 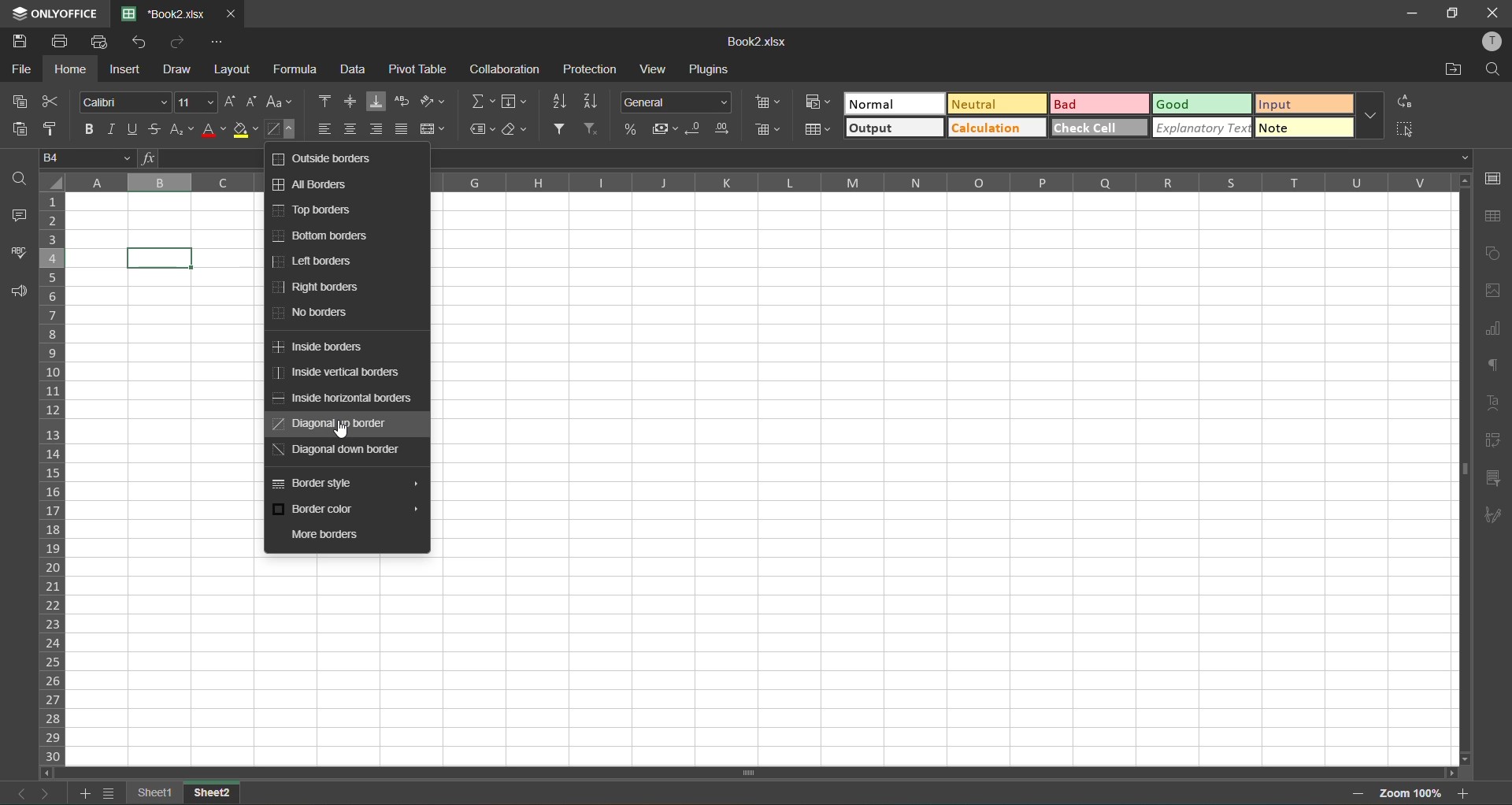 What do you see at coordinates (17, 178) in the screenshot?
I see `find` at bounding box center [17, 178].